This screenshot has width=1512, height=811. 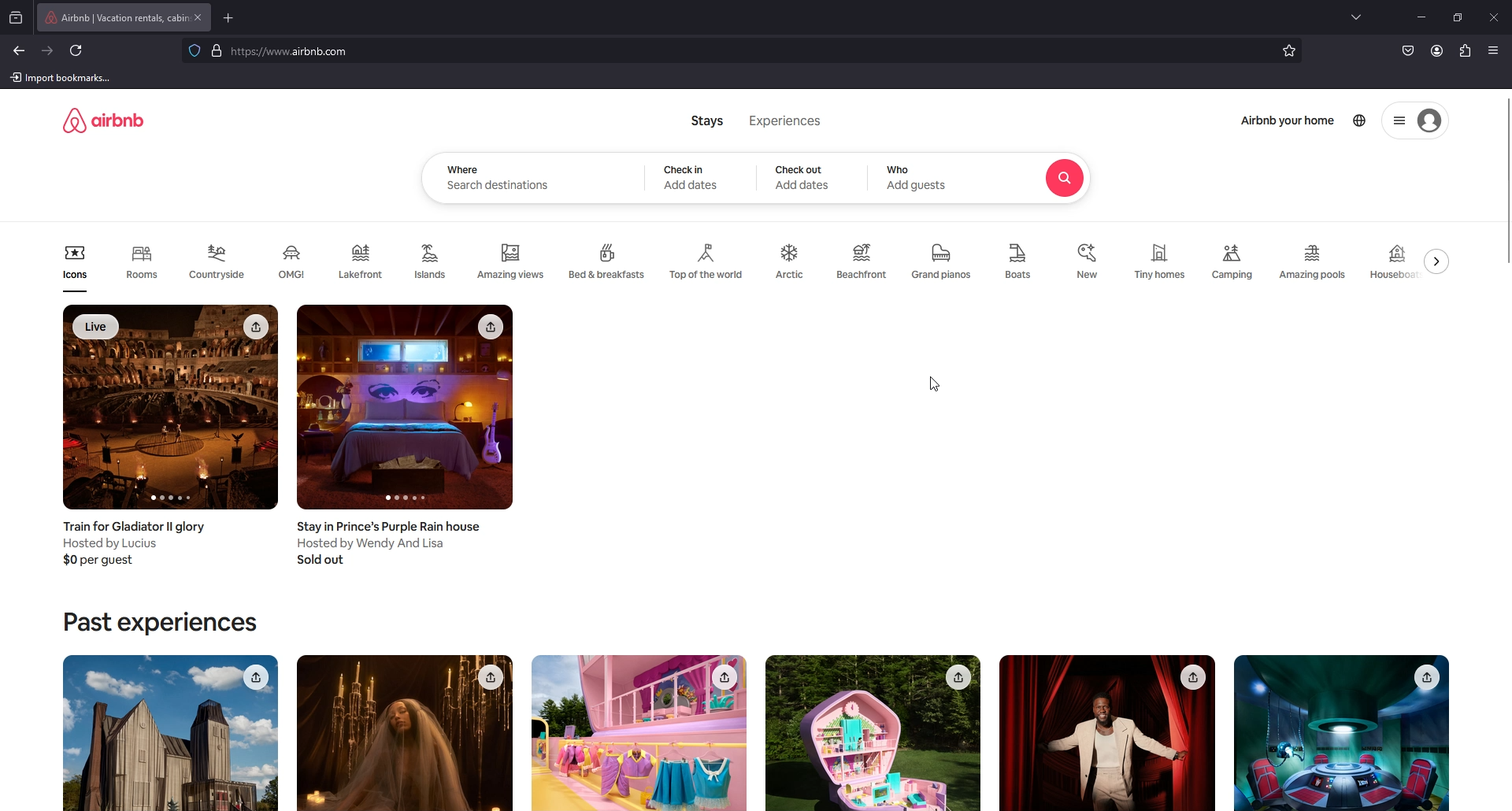 What do you see at coordinates (159, 623) in the screenshot?
I see `Past experiences` at bounding box center [159, 623].